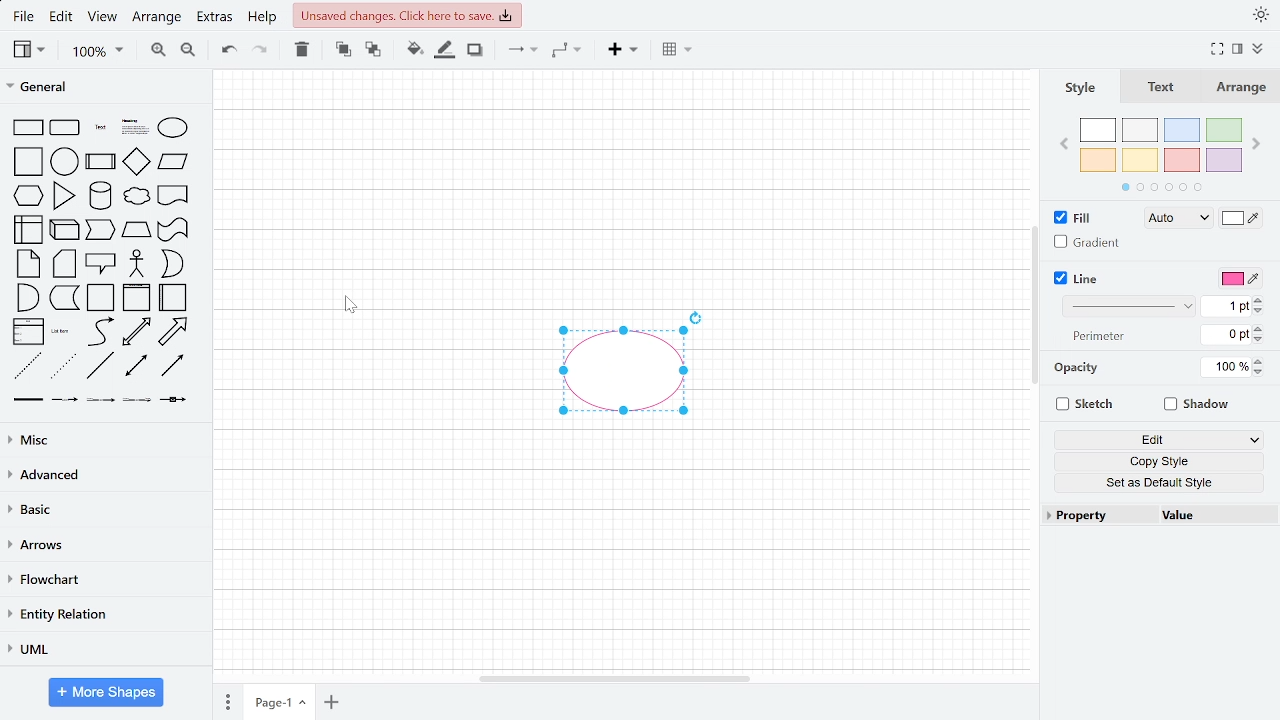  I want to click on arrows, so click(522, 50).